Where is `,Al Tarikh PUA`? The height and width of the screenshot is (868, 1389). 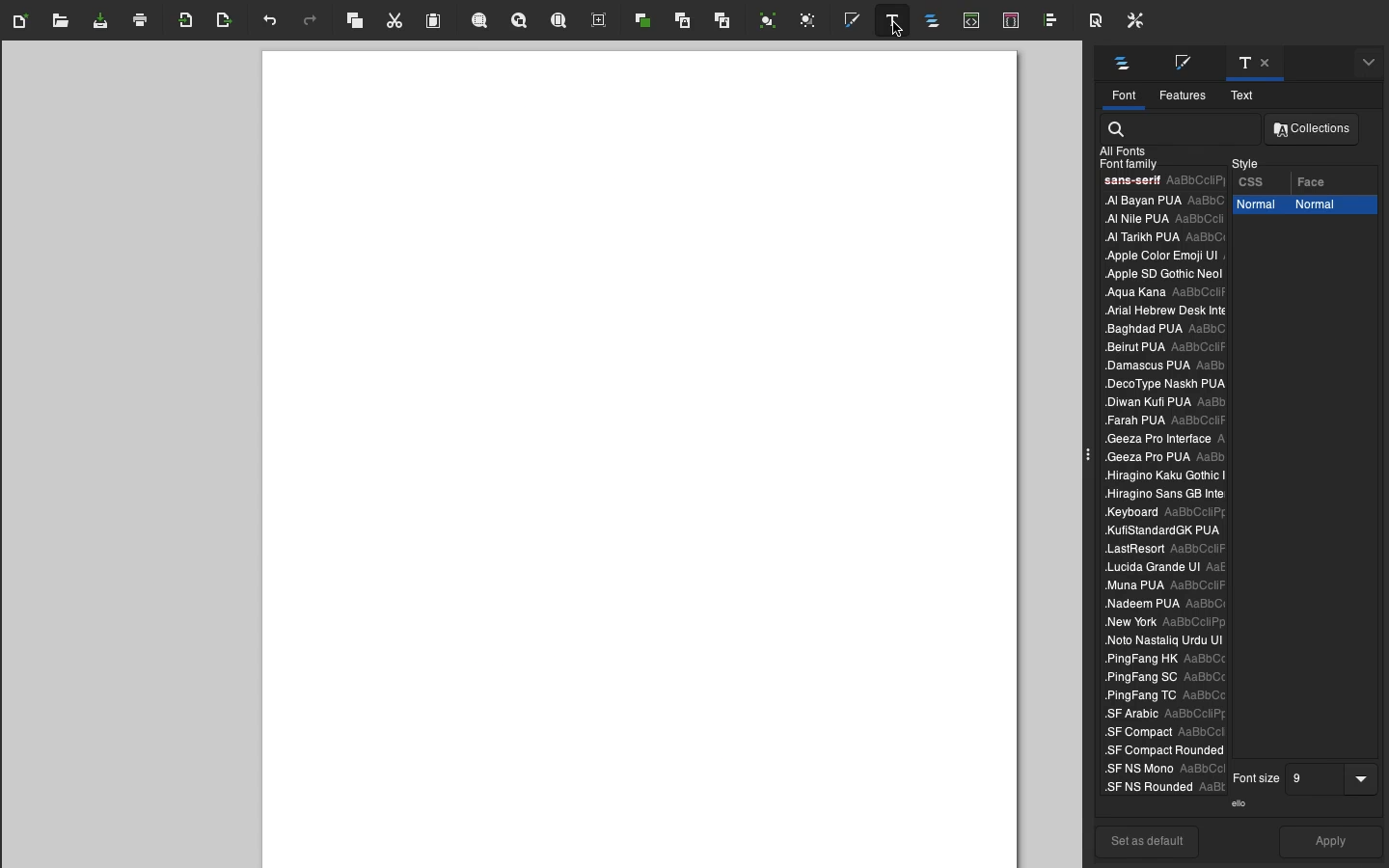 ,Al Tarikh PUA is located at coordinates (1161, 236).